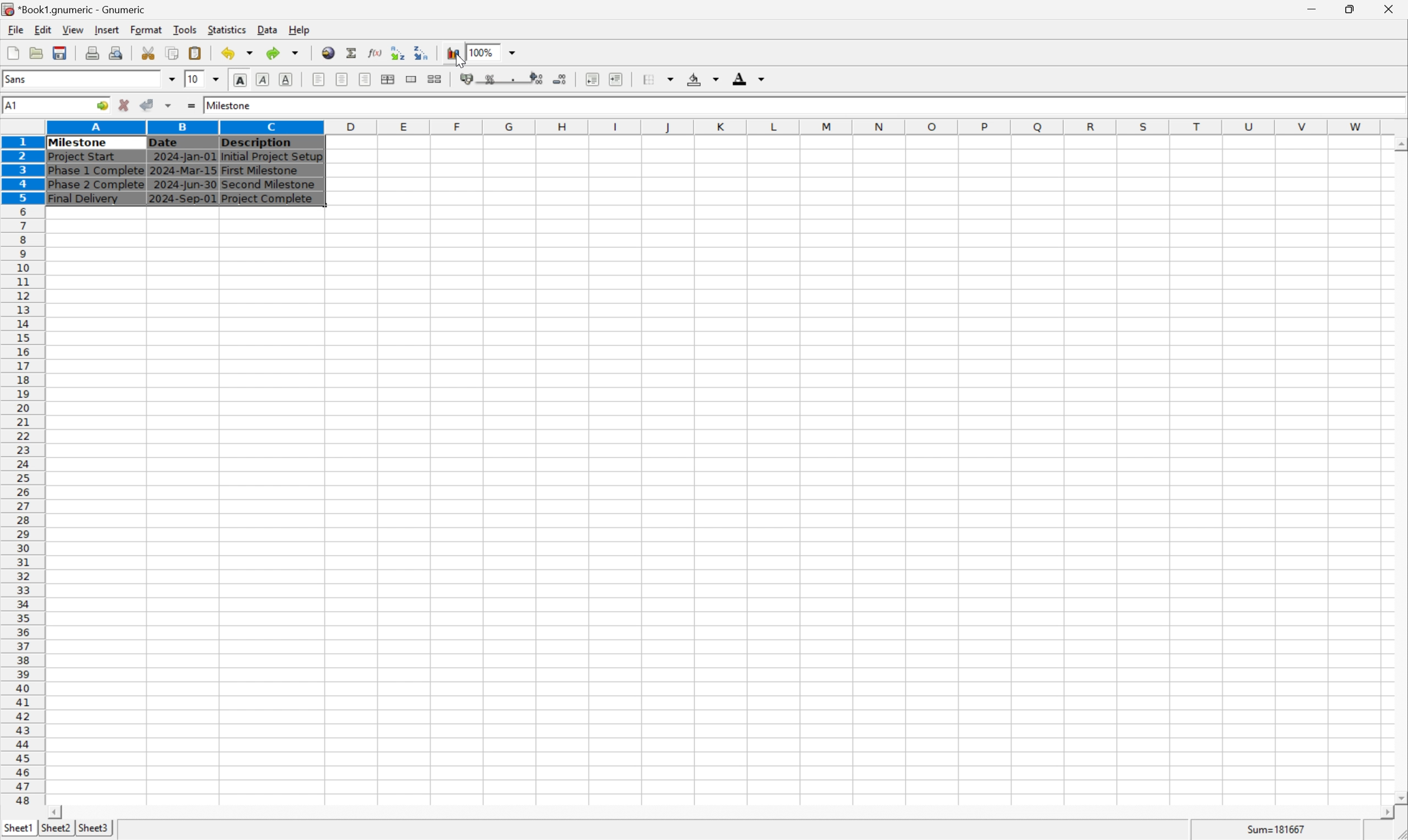 The height and width of the screenshot is (840, 1408). What do you see at coordinates (513, 52) in the screenshot?
I see `drop down` at bounding box center [513, 52].